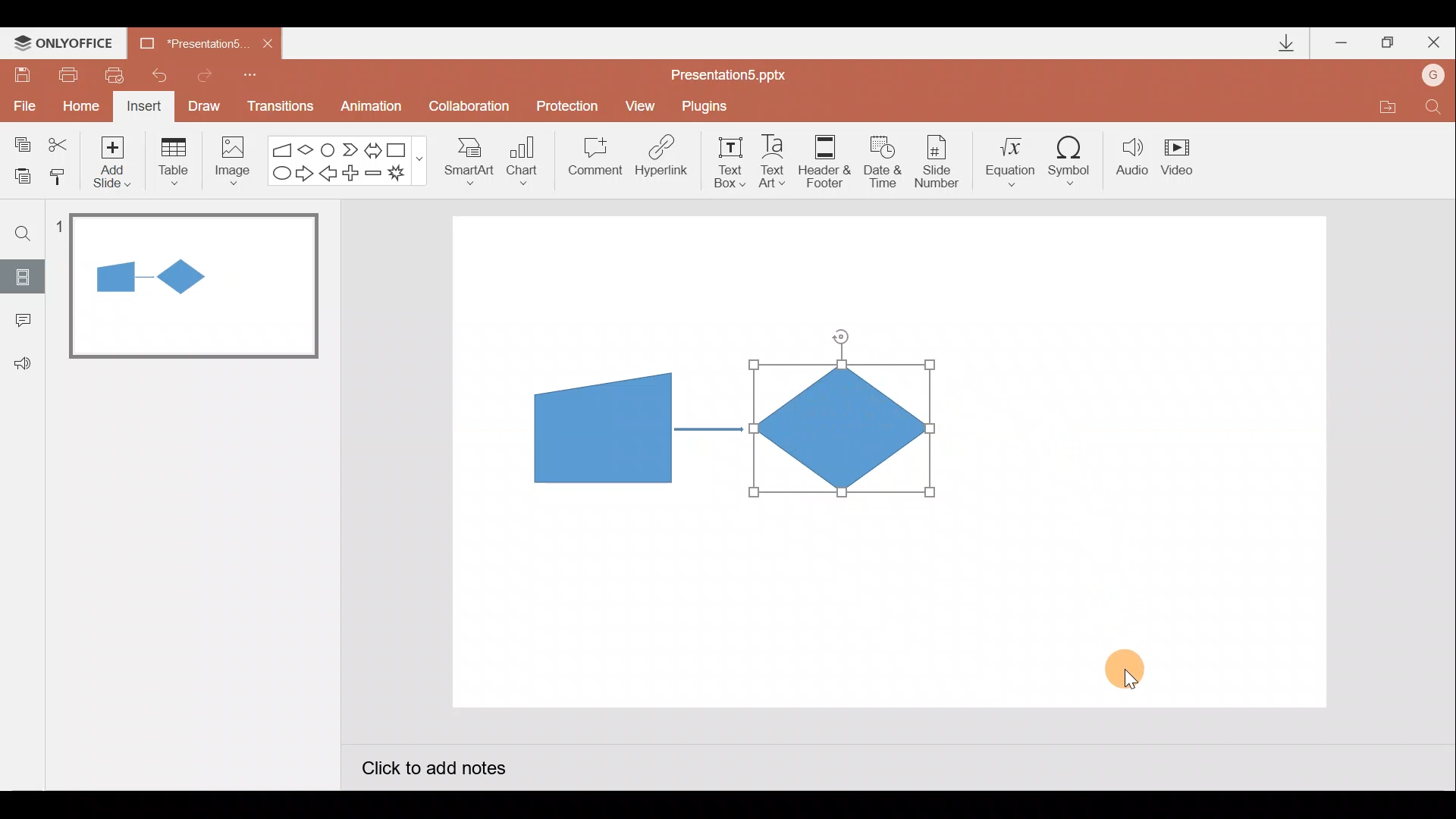 Image resolution: width=1456 pixels, height=819 pixels. I want to click on ONLYOFFICE, so click(67, 43).